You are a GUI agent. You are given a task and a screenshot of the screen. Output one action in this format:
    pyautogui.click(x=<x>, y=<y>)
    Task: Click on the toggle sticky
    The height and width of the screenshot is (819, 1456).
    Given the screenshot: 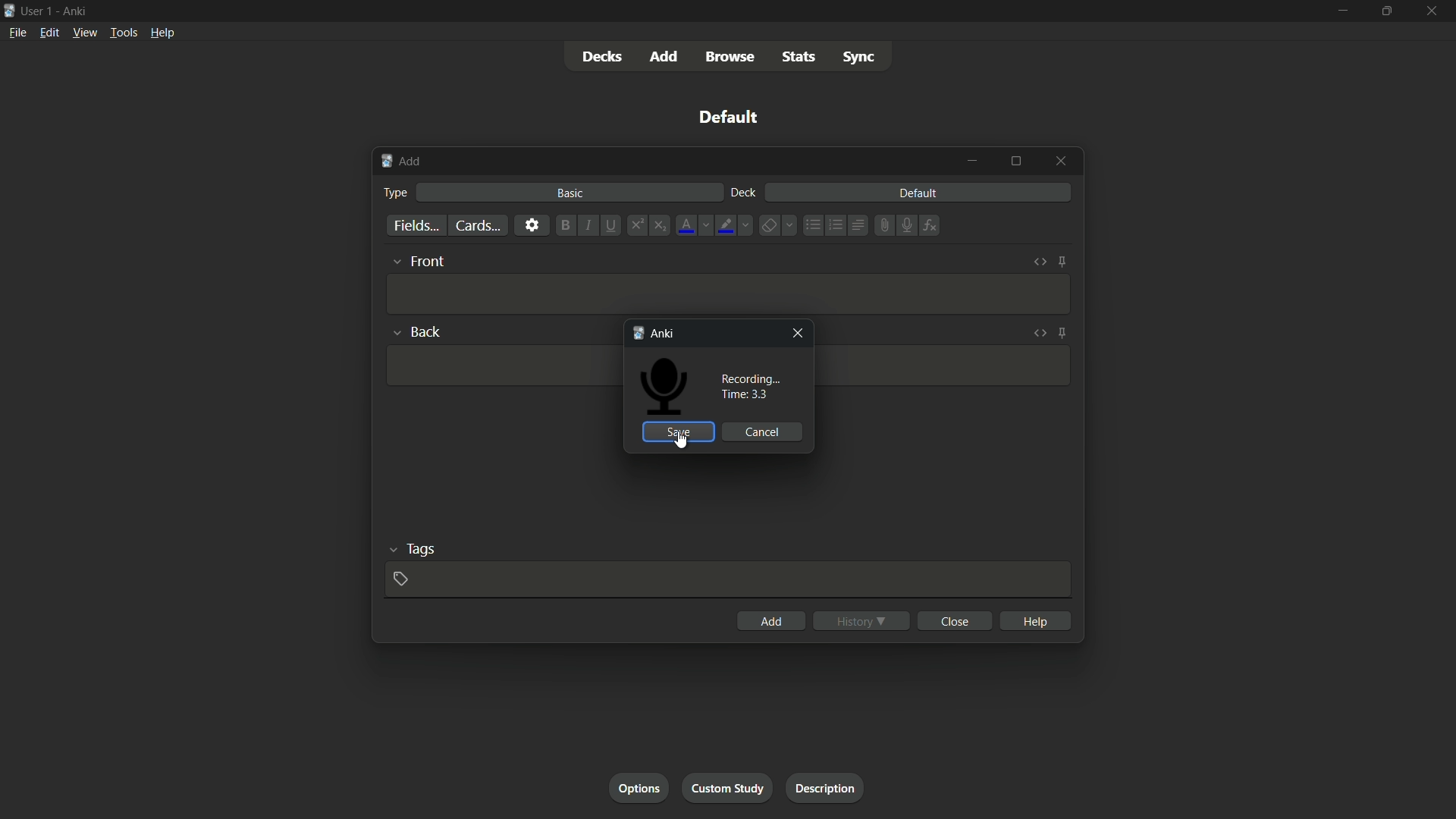 What is the action you would take?
    pyautogui.click(x=1062, y=262)
    